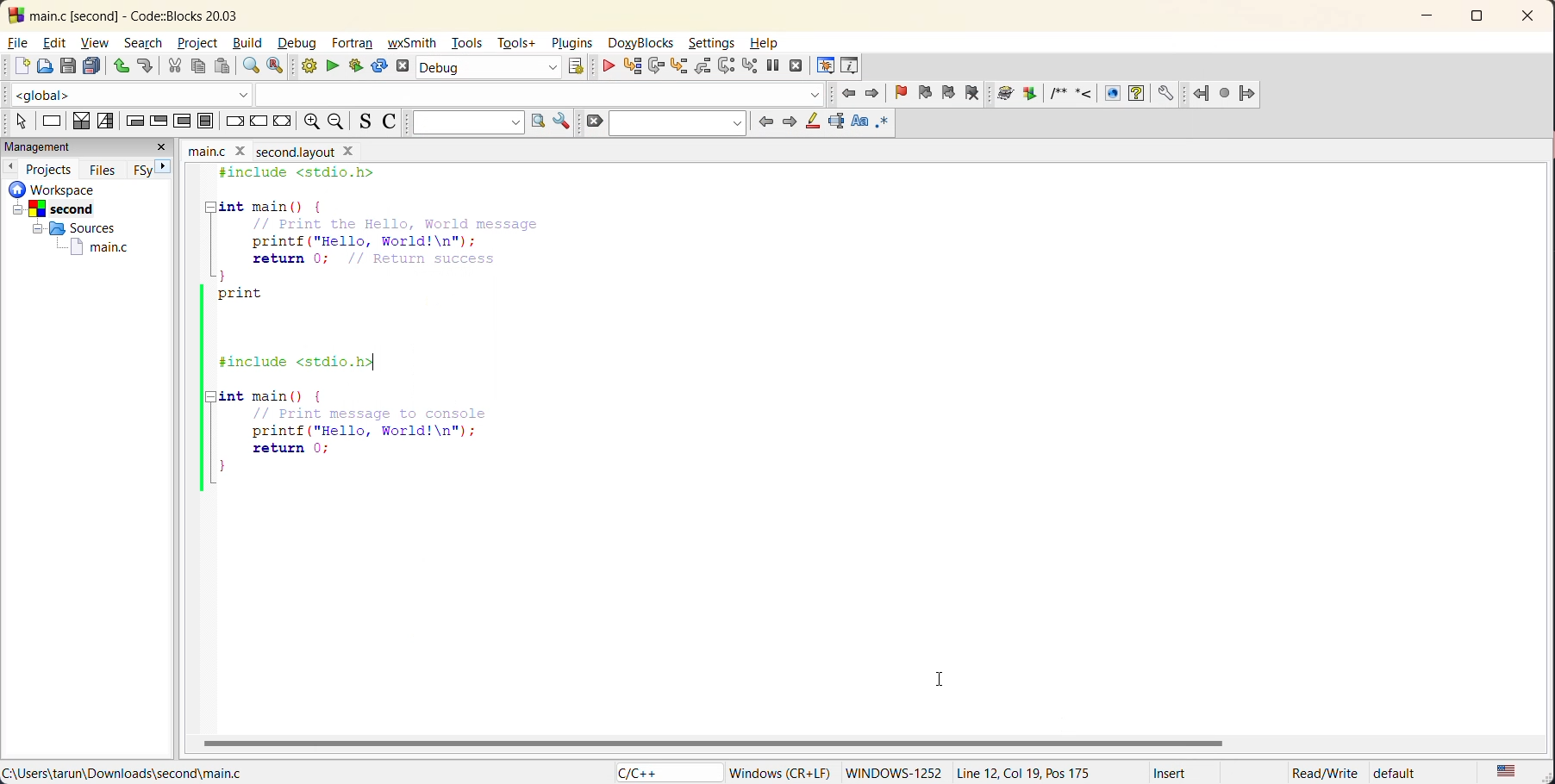  What do you see at coordinates (810, 122) in the screenshot?
I see `highlight` at bounding box center [810, 122].